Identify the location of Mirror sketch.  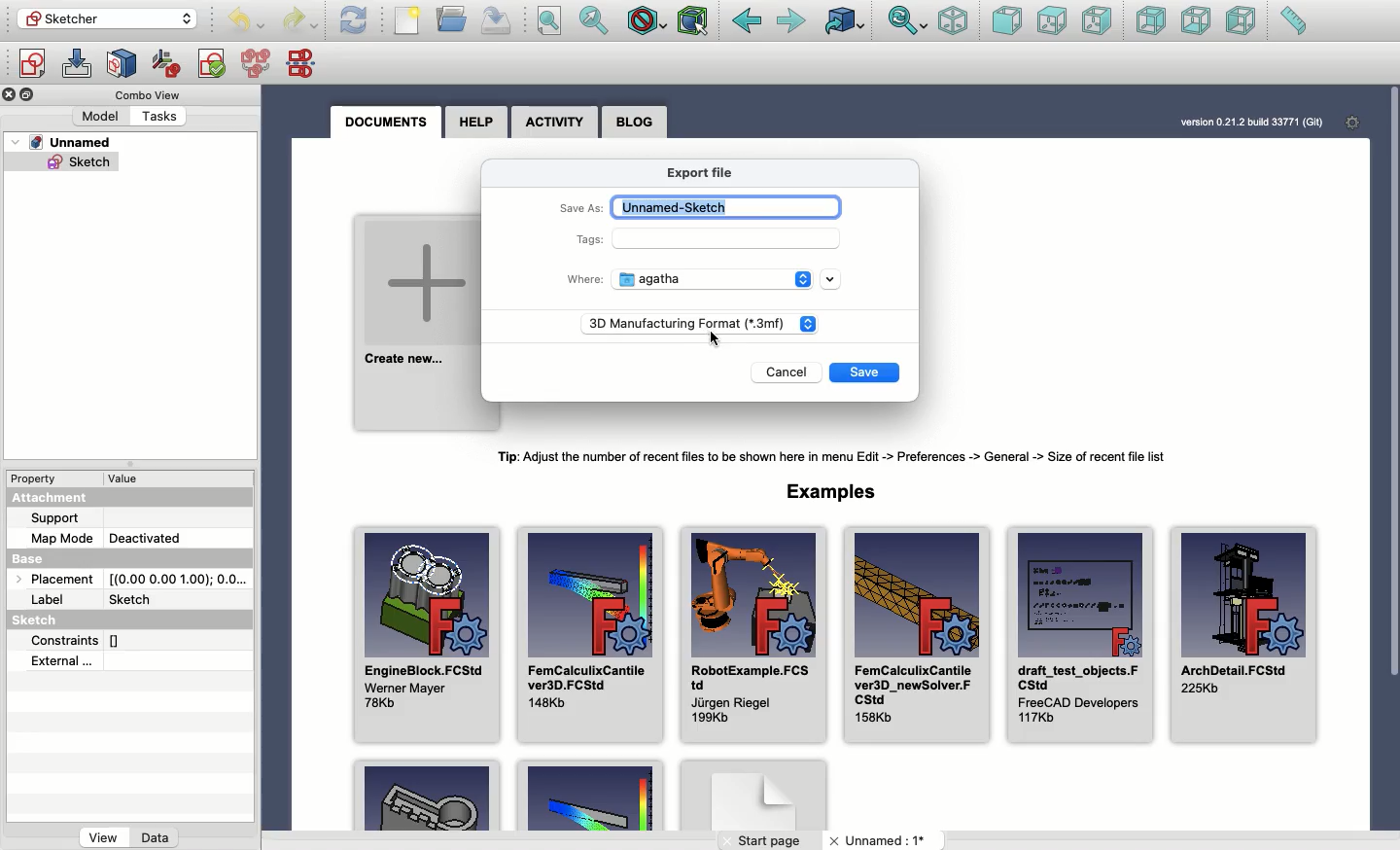
(304, 64).